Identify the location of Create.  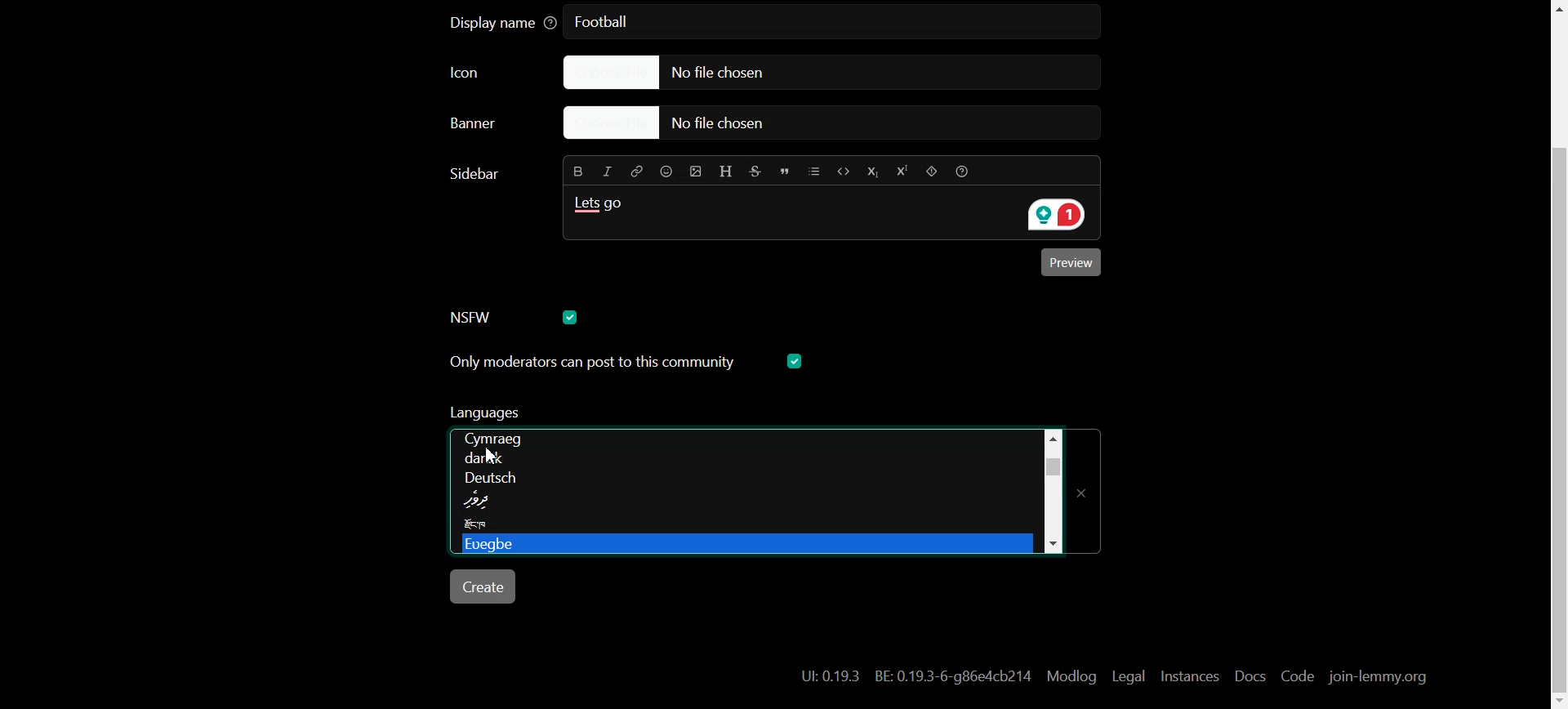
(485, 586).